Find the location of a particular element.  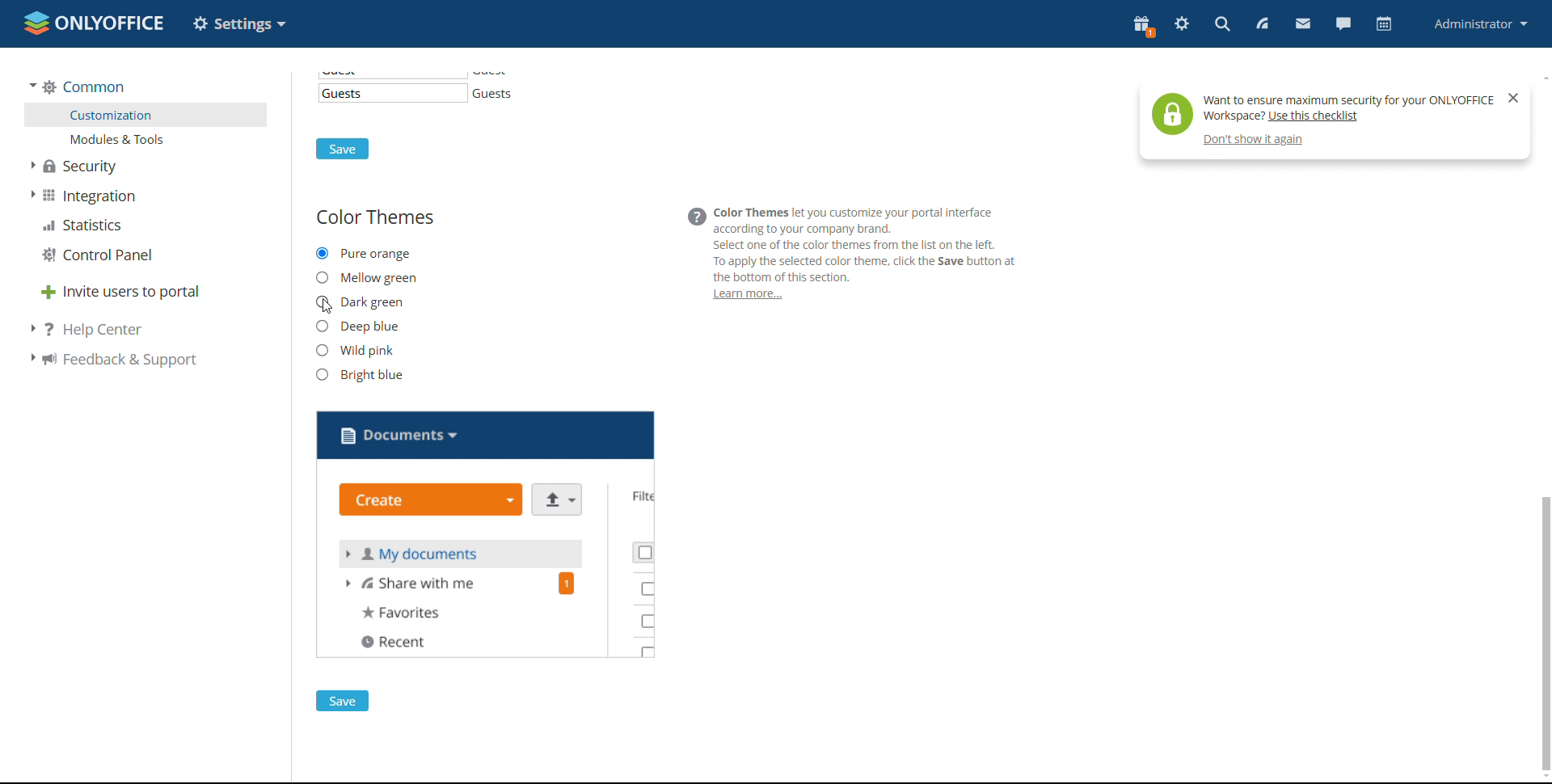

color themes is located at coordinates (375, 217).